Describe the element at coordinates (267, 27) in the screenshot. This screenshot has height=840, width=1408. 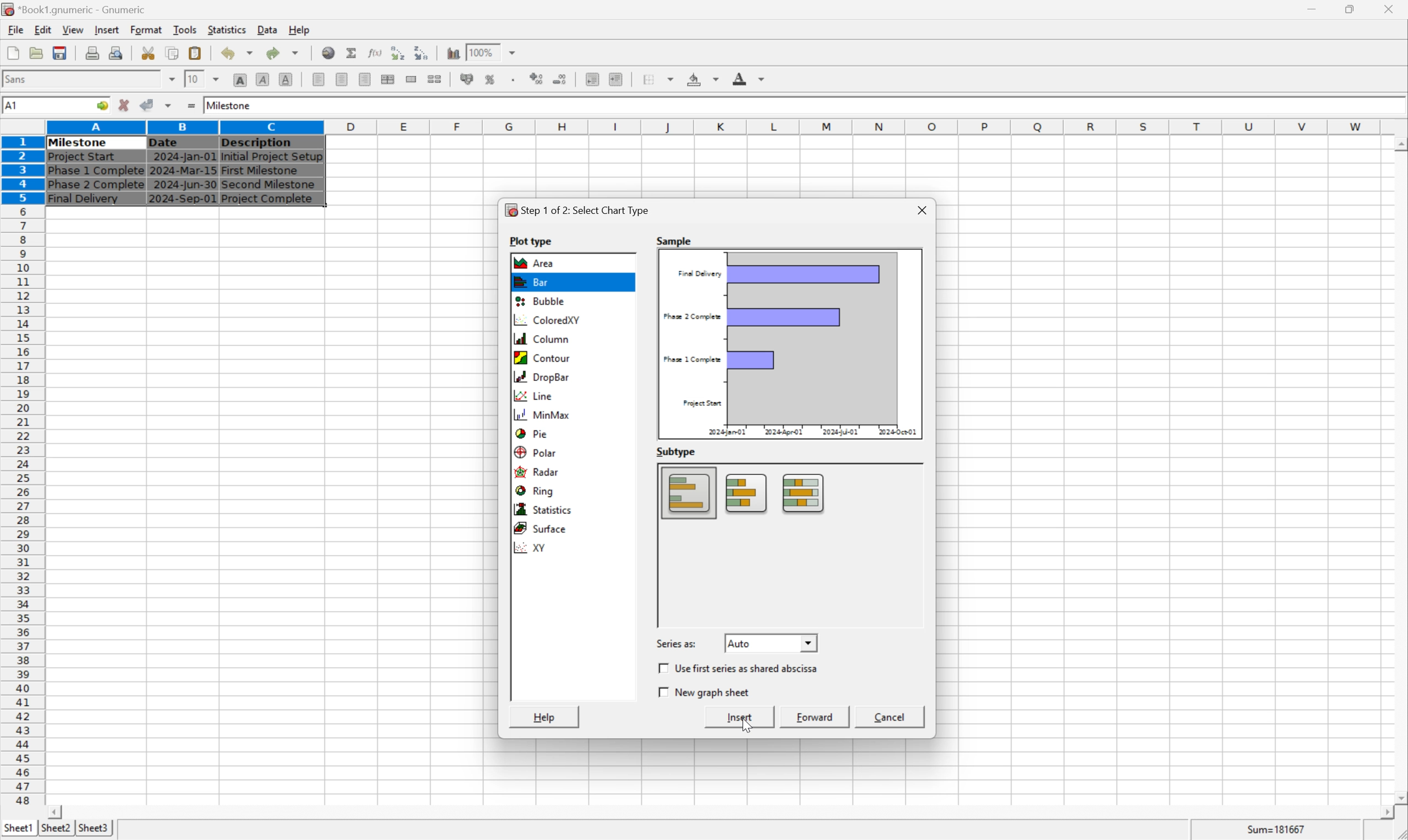
I see `data` at that location.